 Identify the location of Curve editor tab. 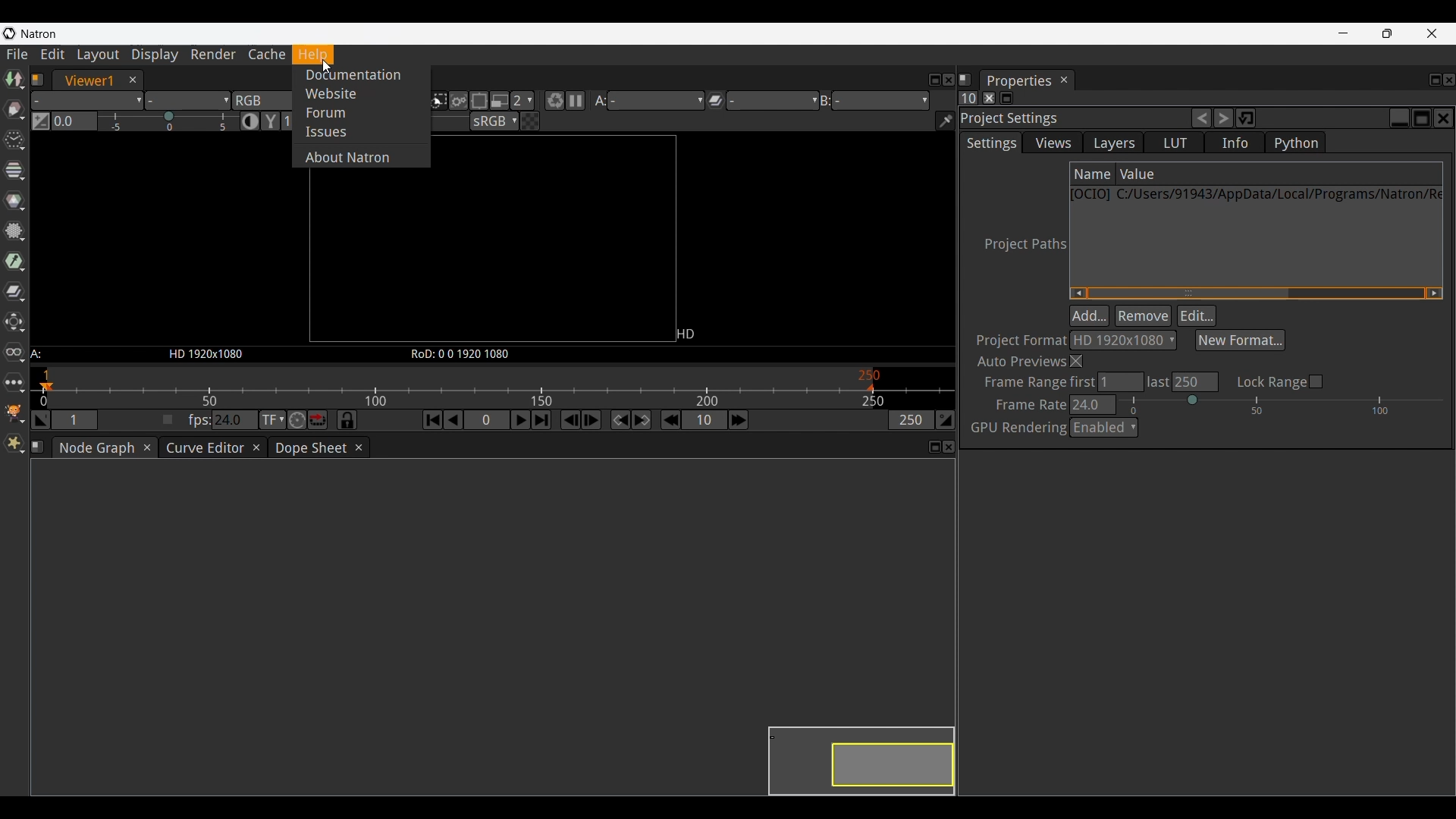
(203, 447).